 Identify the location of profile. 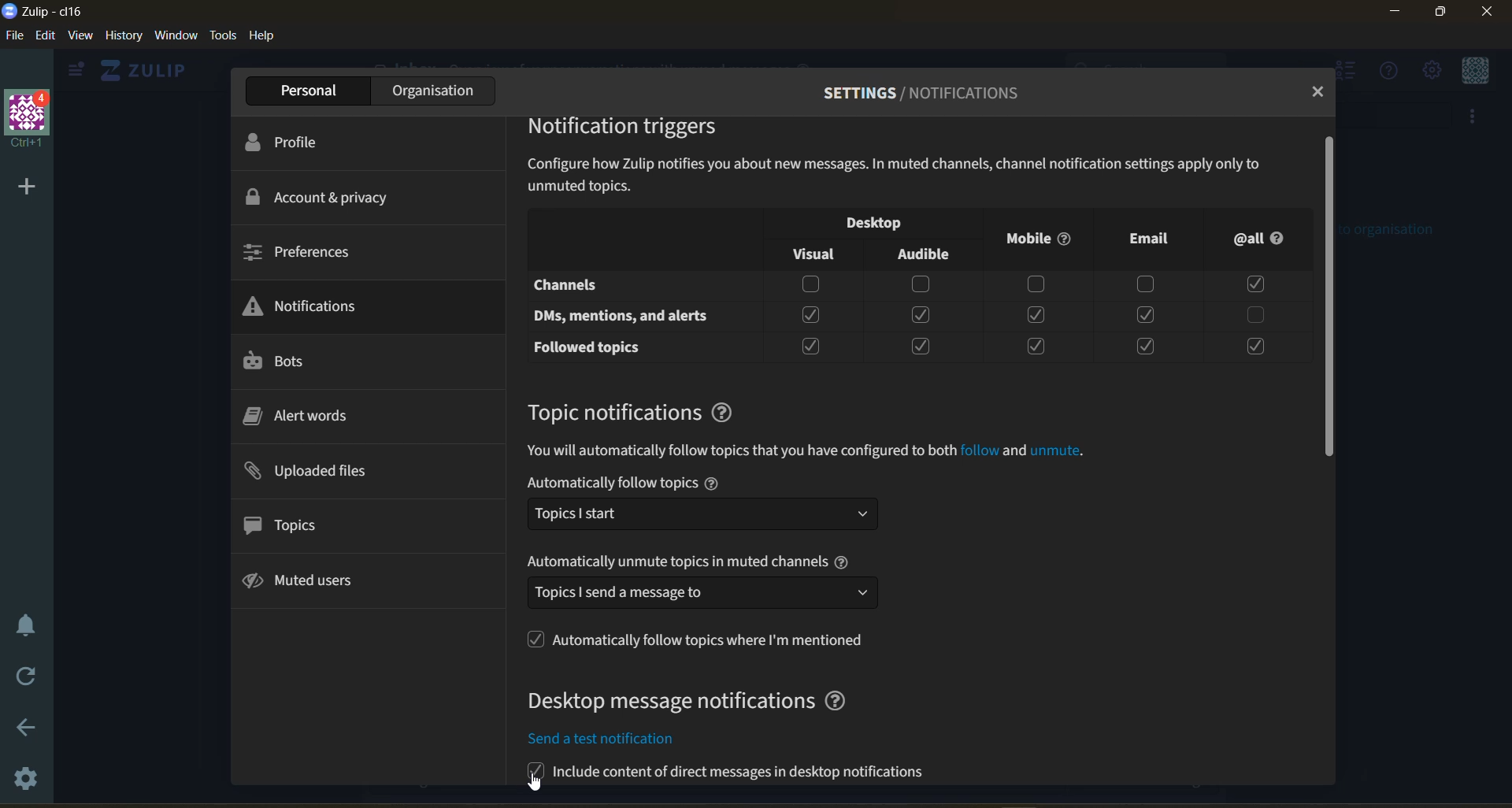
(298, 142).